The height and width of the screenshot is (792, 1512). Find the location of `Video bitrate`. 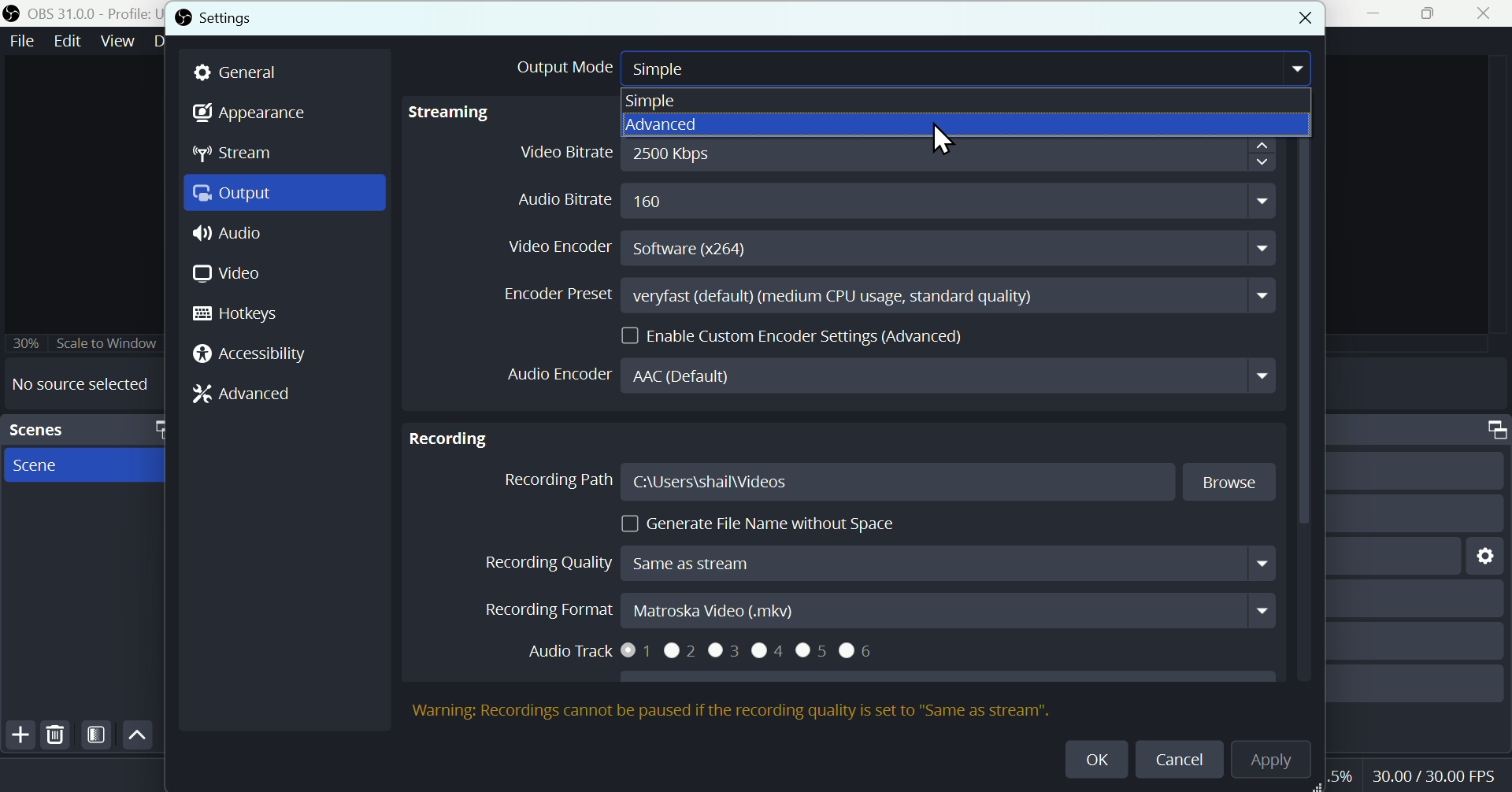

Video bitrate is located at coordinates (896, 155).